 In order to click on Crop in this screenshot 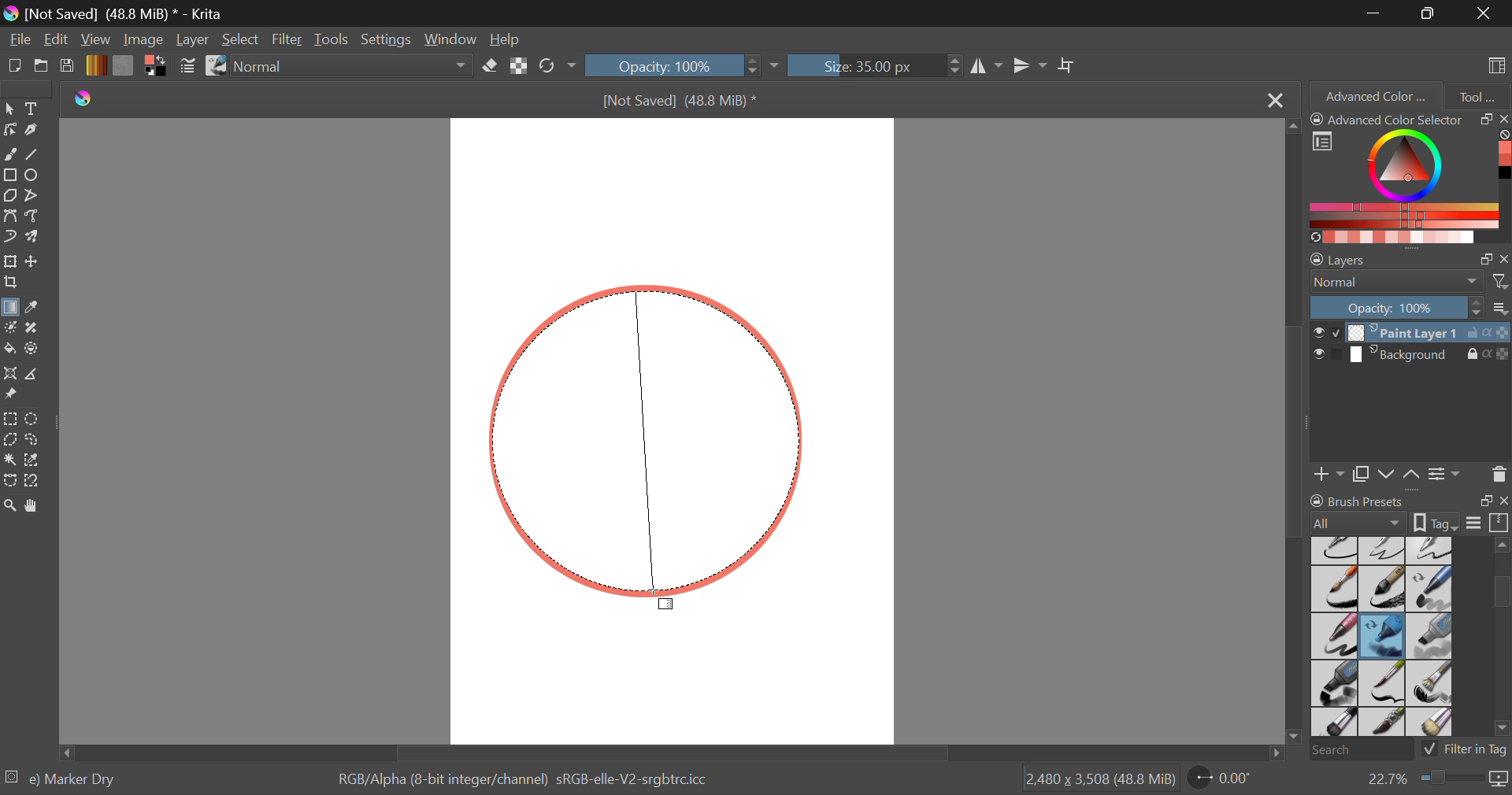, I will do `click(1069, 66)`.